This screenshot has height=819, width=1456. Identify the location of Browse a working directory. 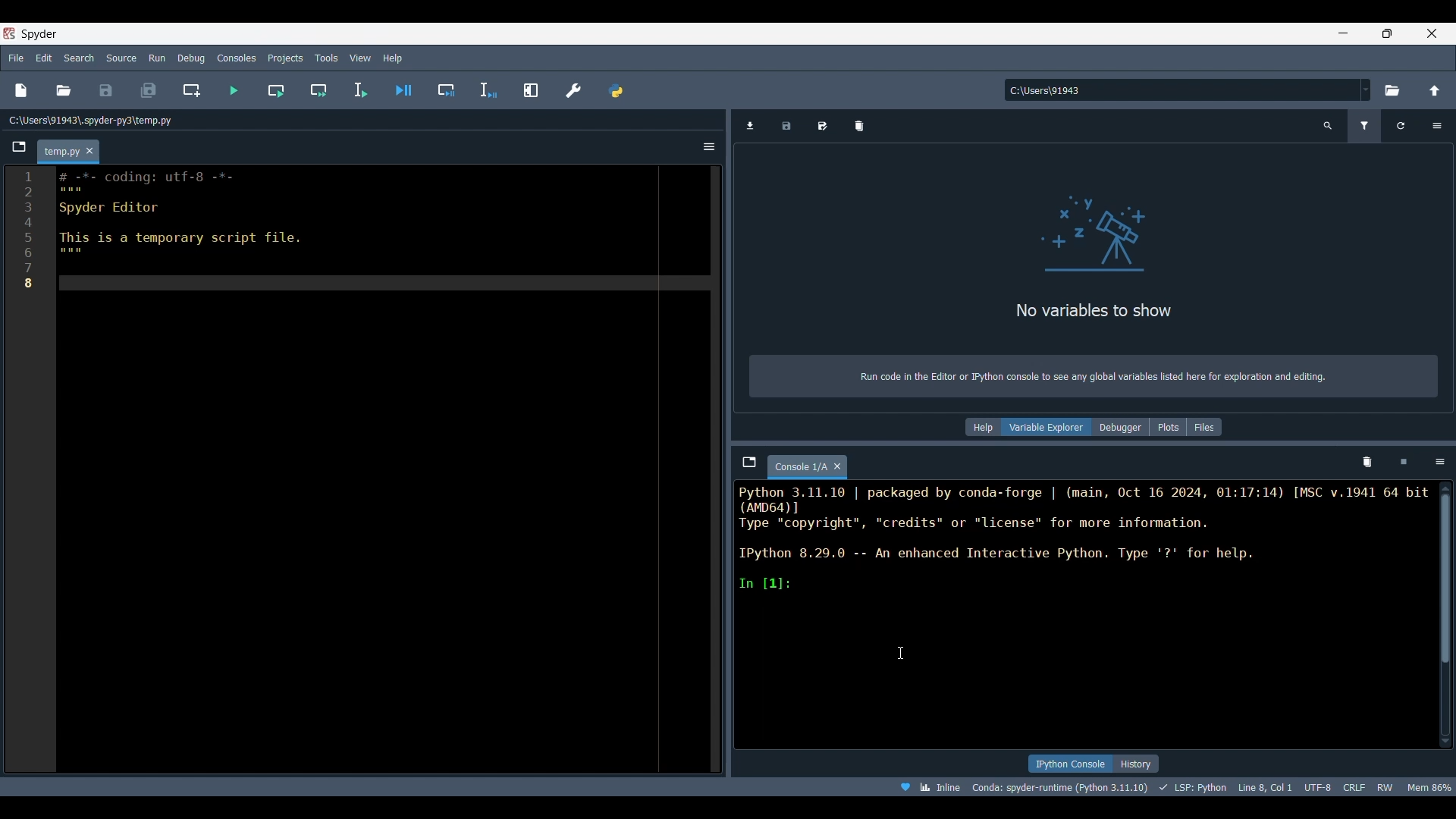
(1391, 90).